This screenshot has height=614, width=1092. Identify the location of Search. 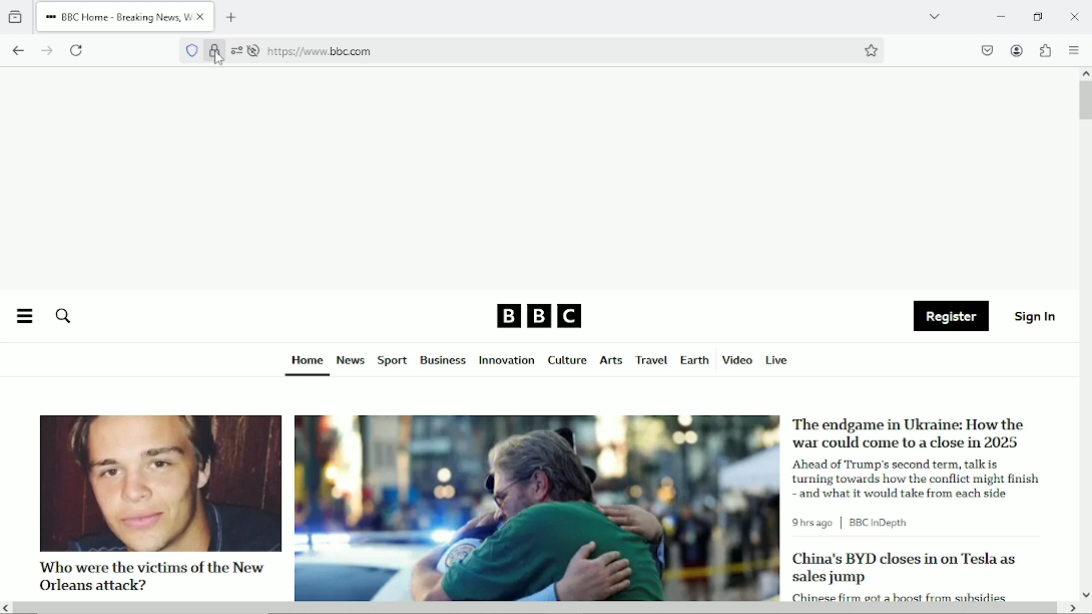
(62, 316).